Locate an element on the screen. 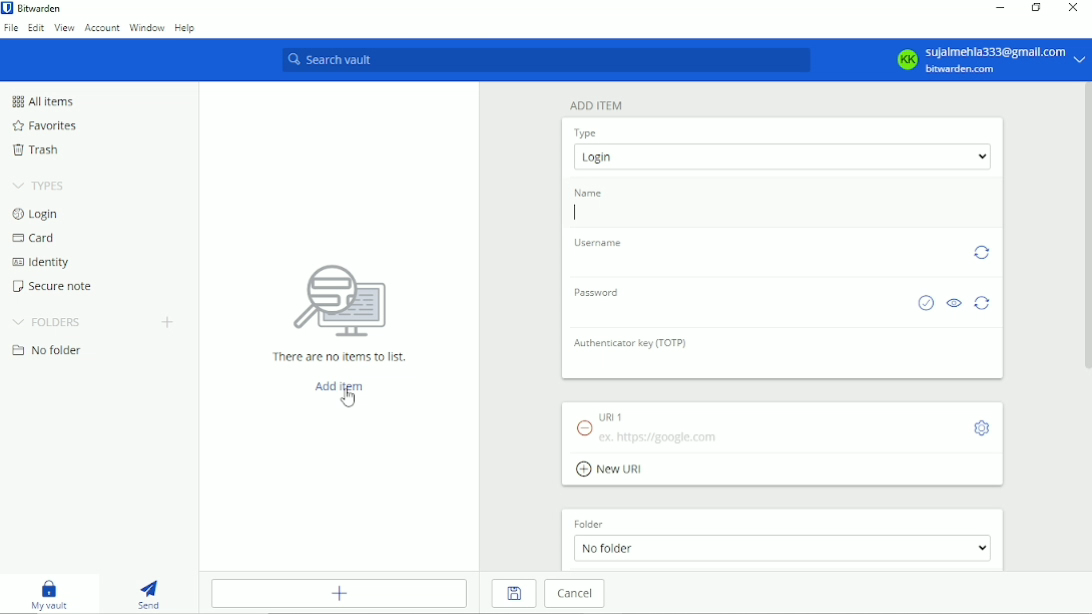 This screenshot has height=614, width=1092. Cursor is located at coordinates (348, 398).